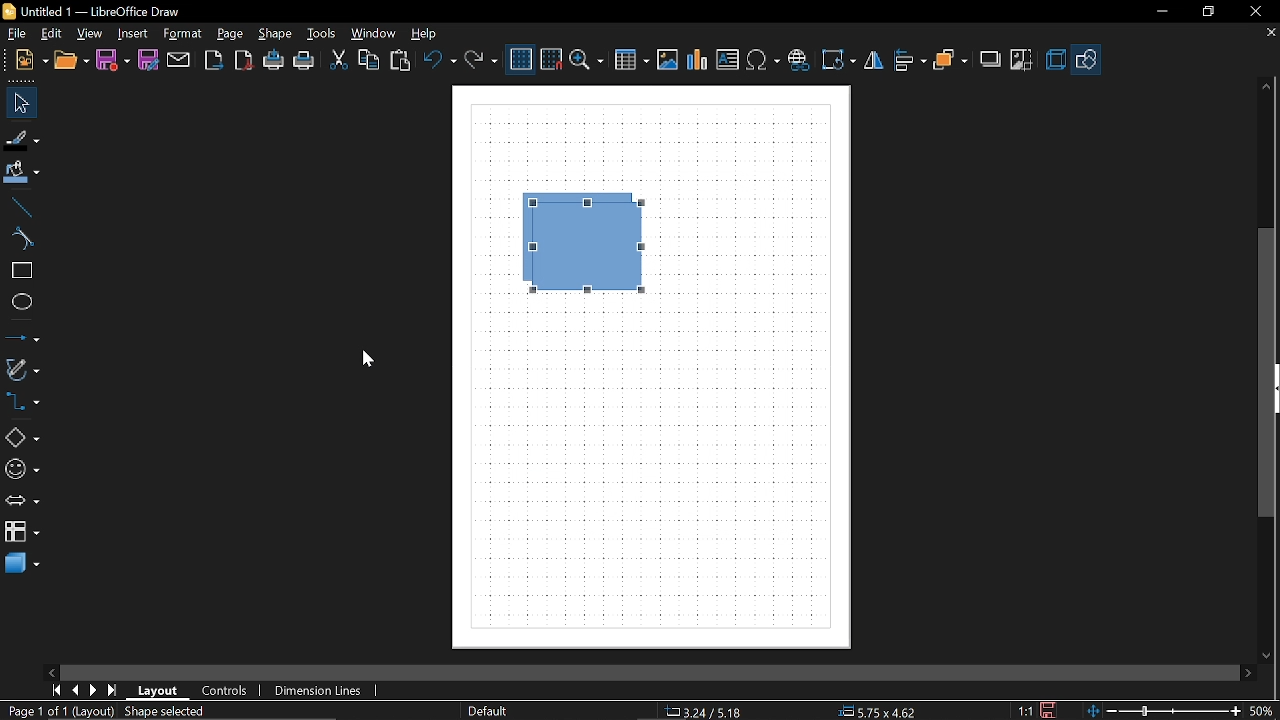 This screenshot has width=1280, height=720. What do you see at coordinates (728, 59) in the screenshot?
I see `Insert chart` at bounding box center [728, 59].